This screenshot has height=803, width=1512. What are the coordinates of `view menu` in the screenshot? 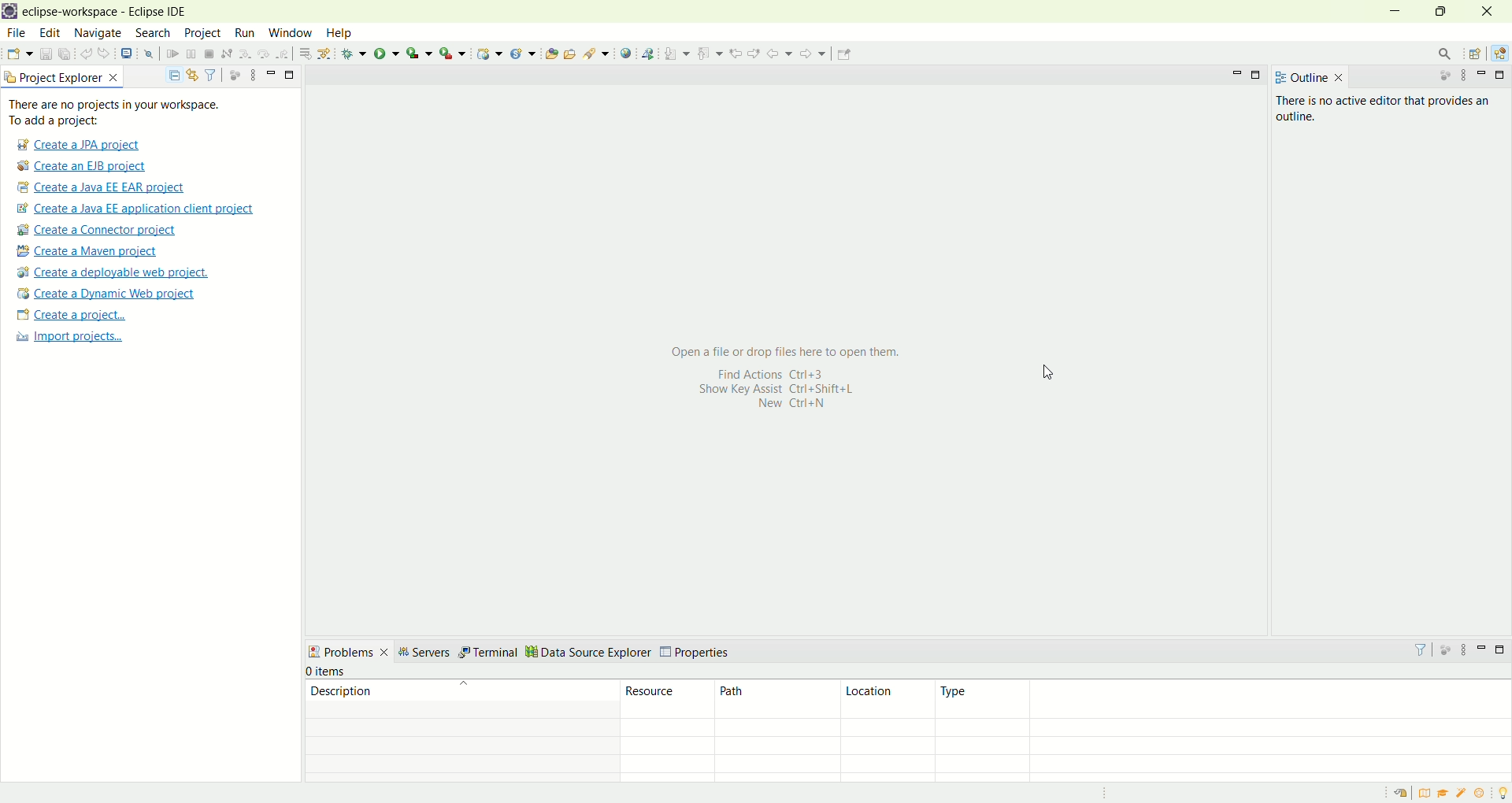 It's located at (1466, 648).